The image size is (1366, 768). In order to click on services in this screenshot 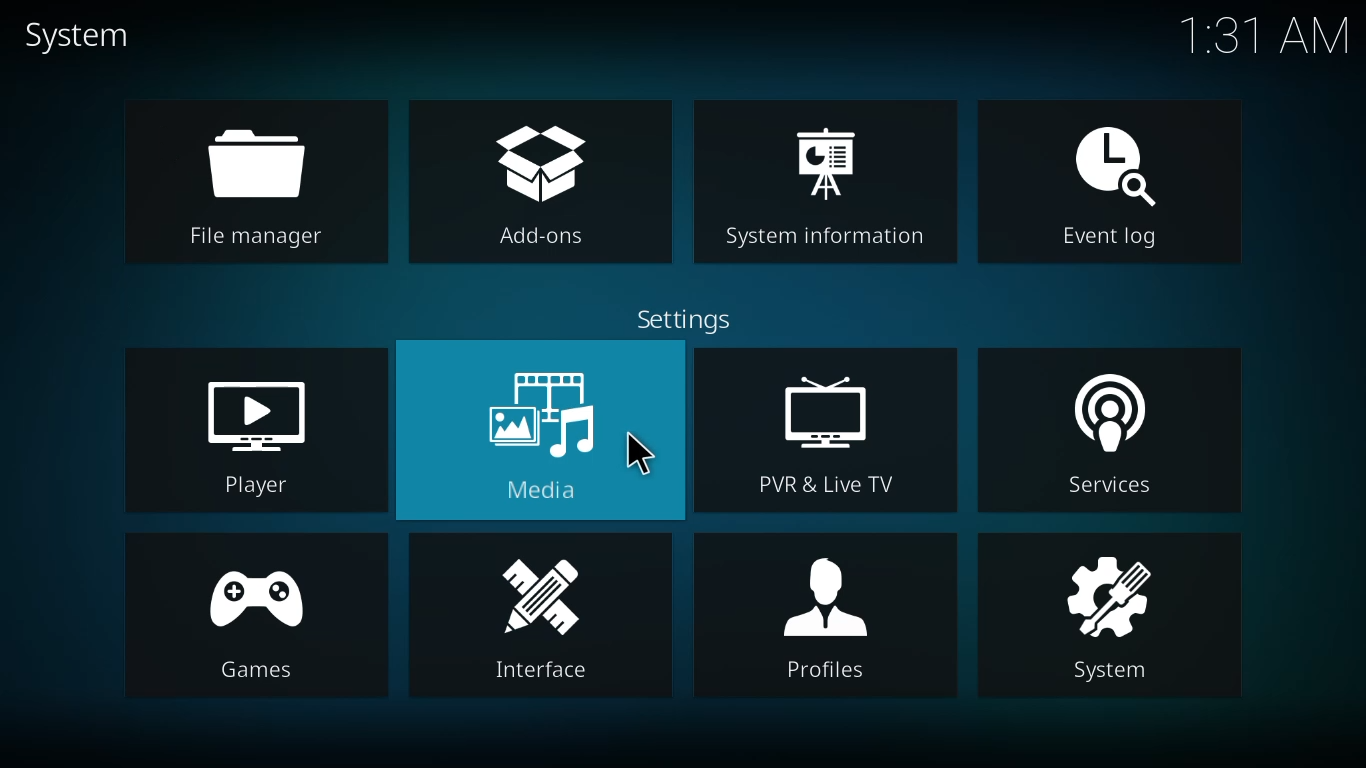, I will do `click(1112, 437)`.